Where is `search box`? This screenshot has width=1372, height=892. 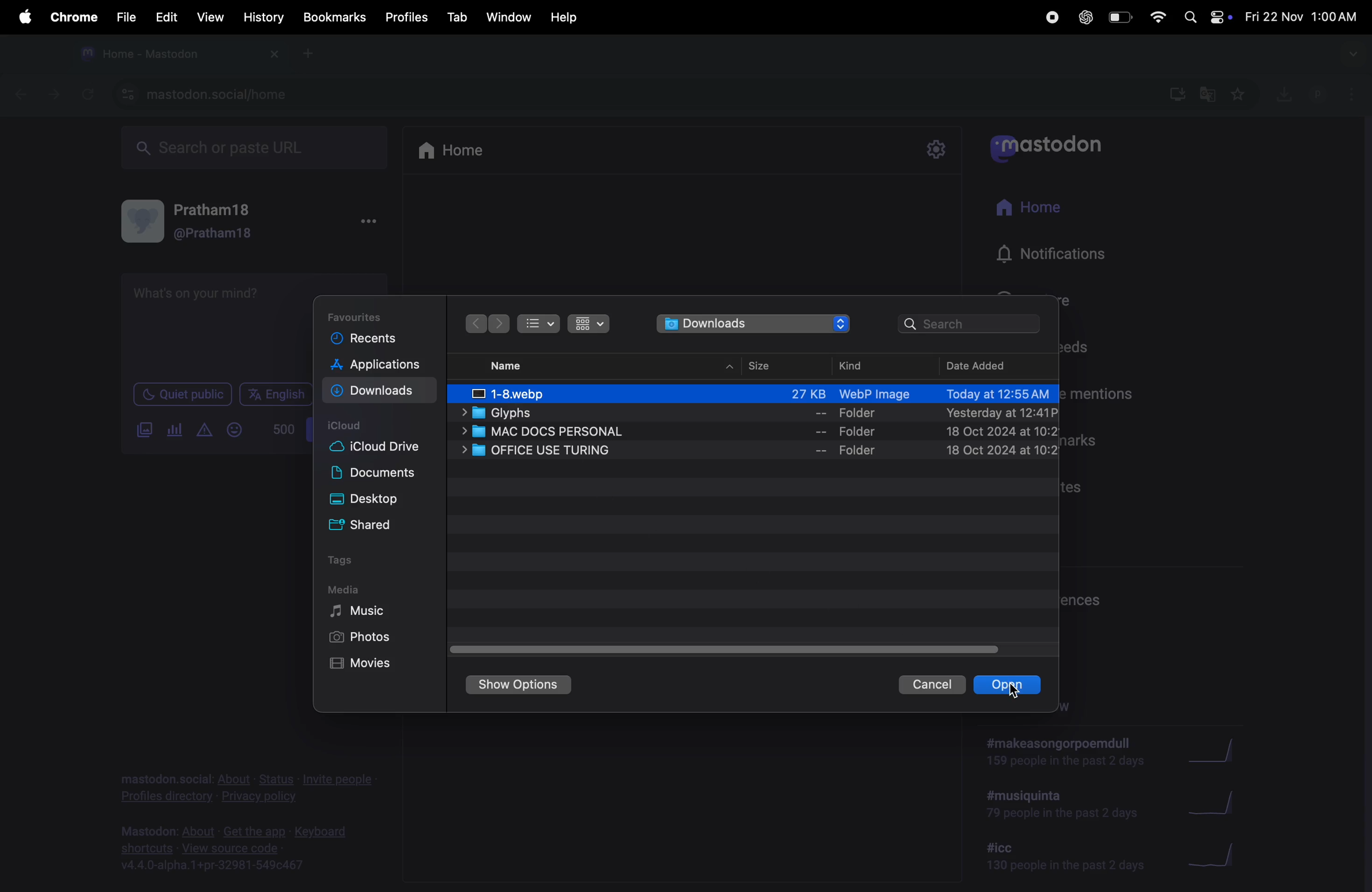
search box is located at coordinates (263, 149).